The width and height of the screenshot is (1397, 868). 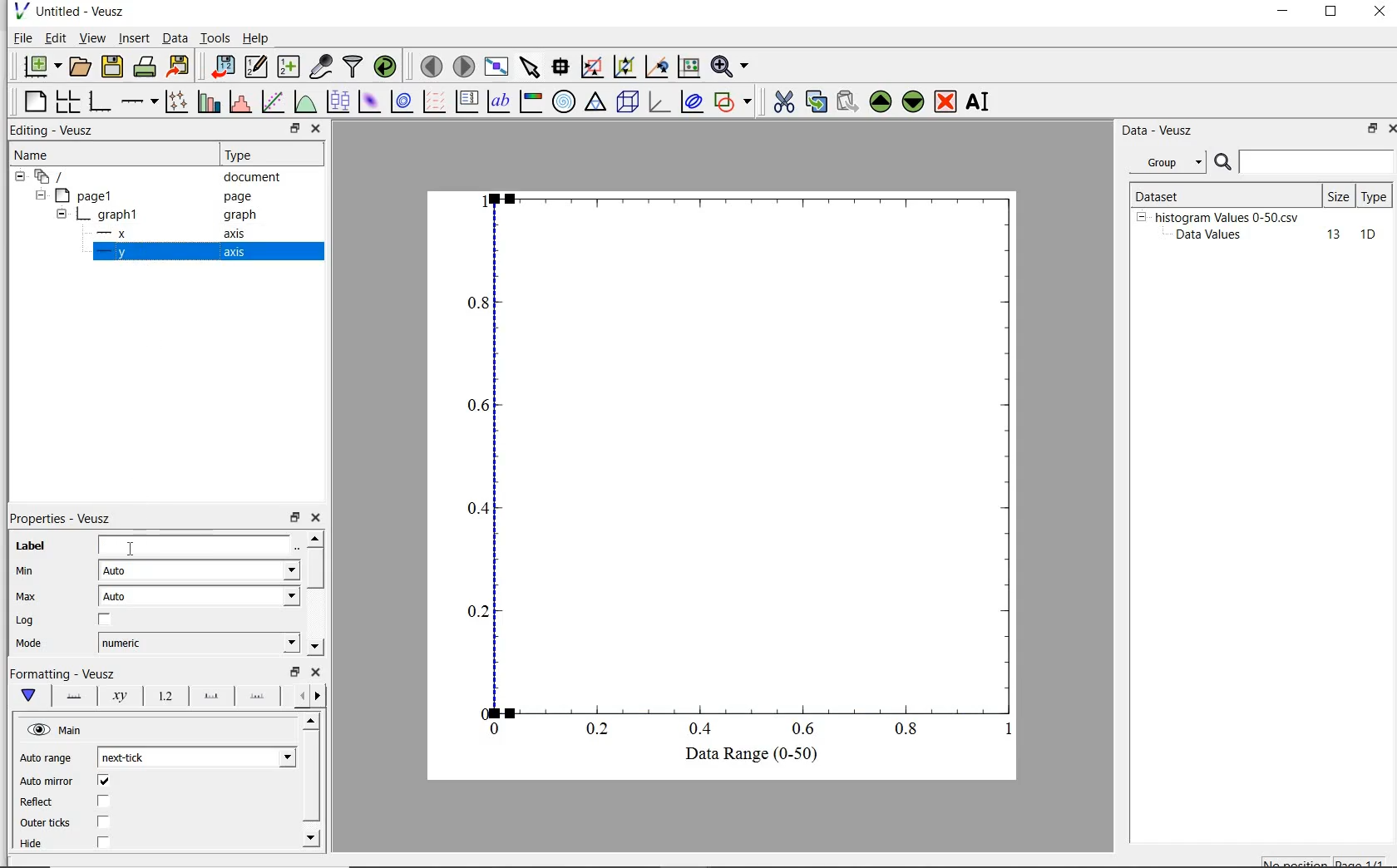 What do you see at coordinates (319, 696) in the screenshot?
I see `next options` at bounding box center [319, 696].